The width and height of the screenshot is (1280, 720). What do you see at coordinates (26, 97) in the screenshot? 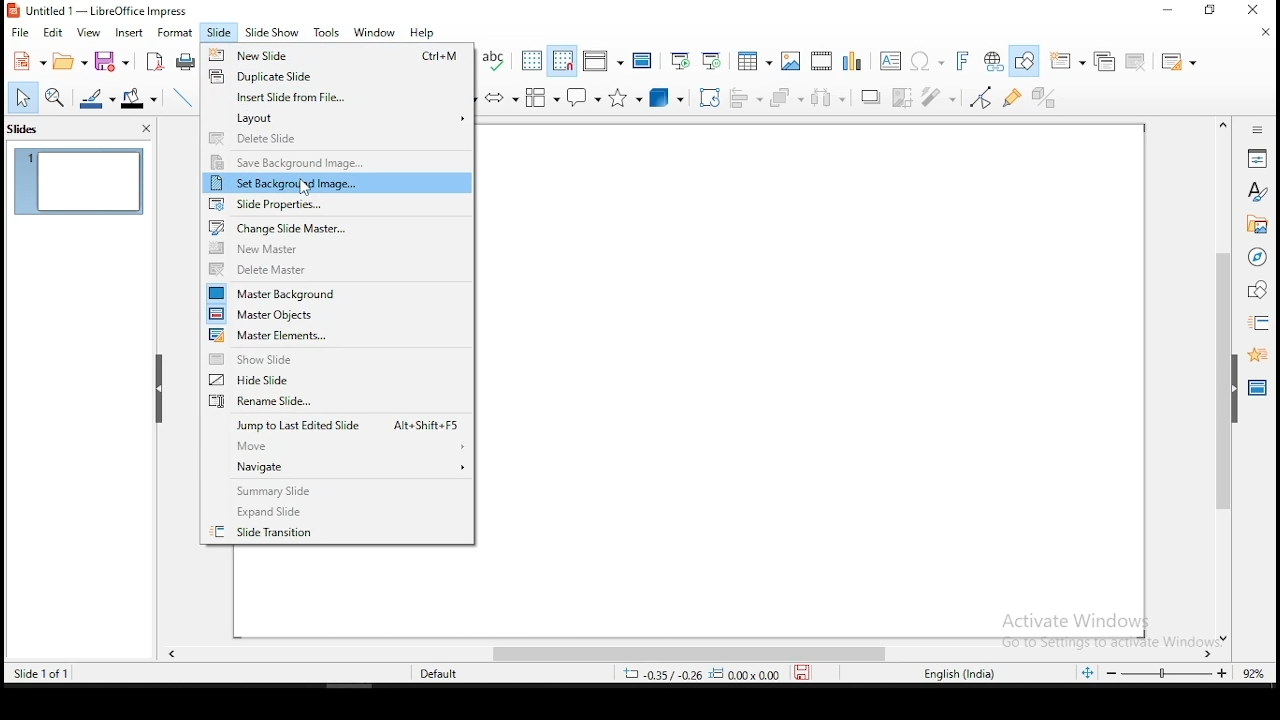
I see `select tool` at bounding box center [26, 97].